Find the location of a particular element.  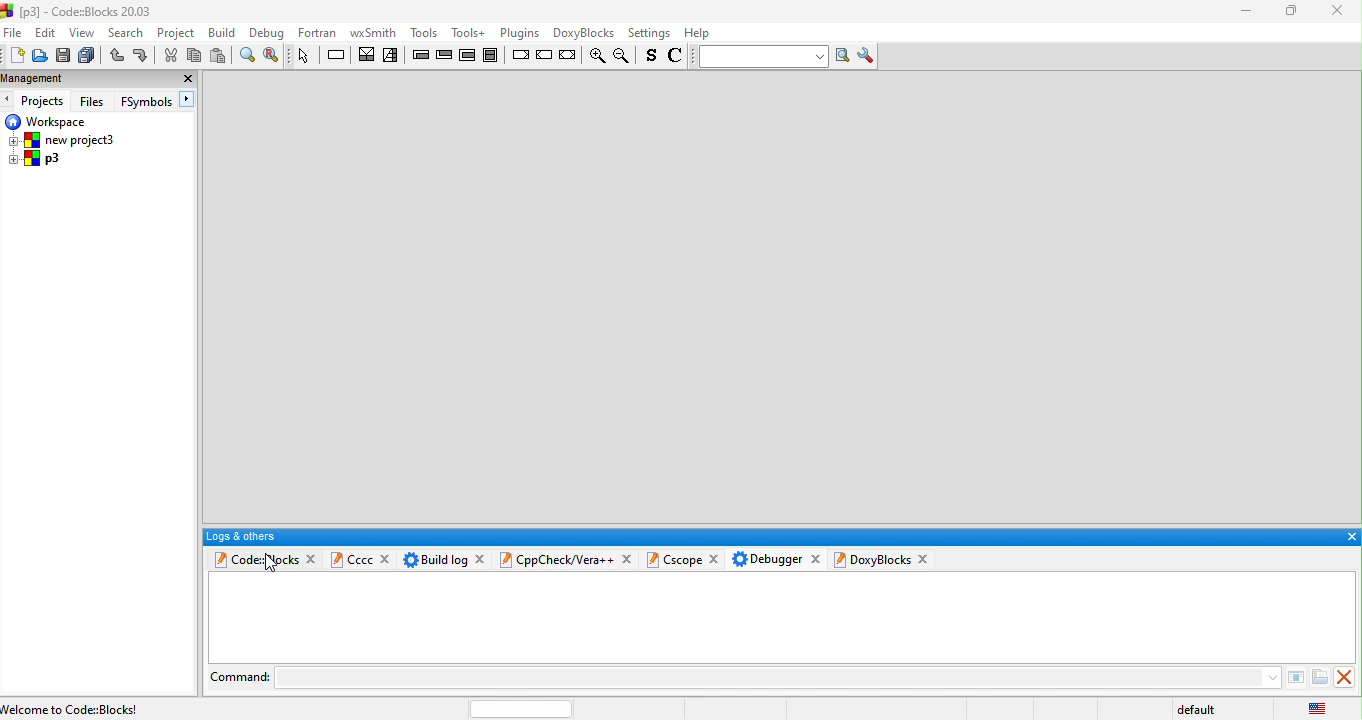

close is located at coordinates (630, 557).